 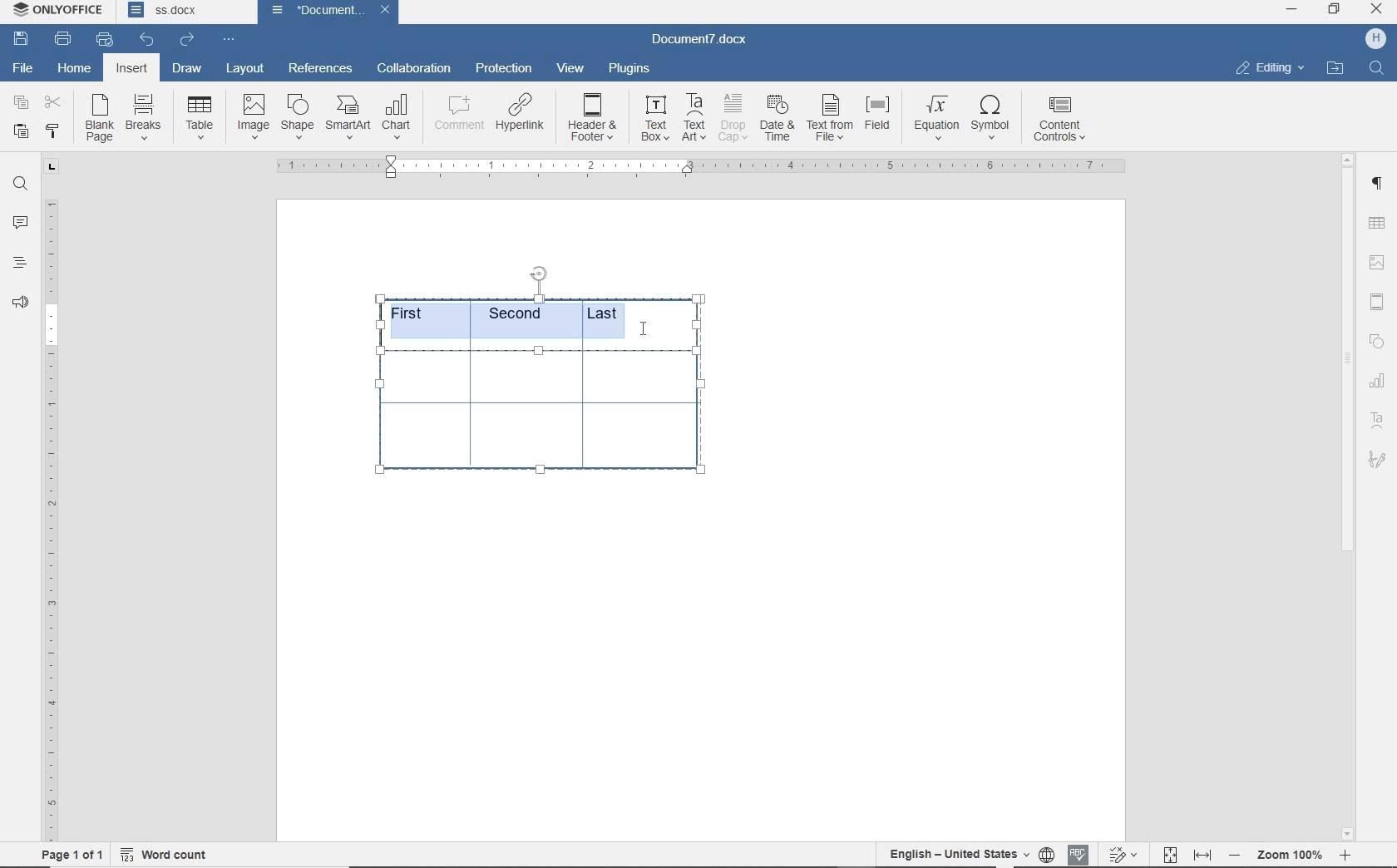 What do you see at coordinates (541, 269) in the screenshot?
I see `position table` at bounding box center [541, 269].